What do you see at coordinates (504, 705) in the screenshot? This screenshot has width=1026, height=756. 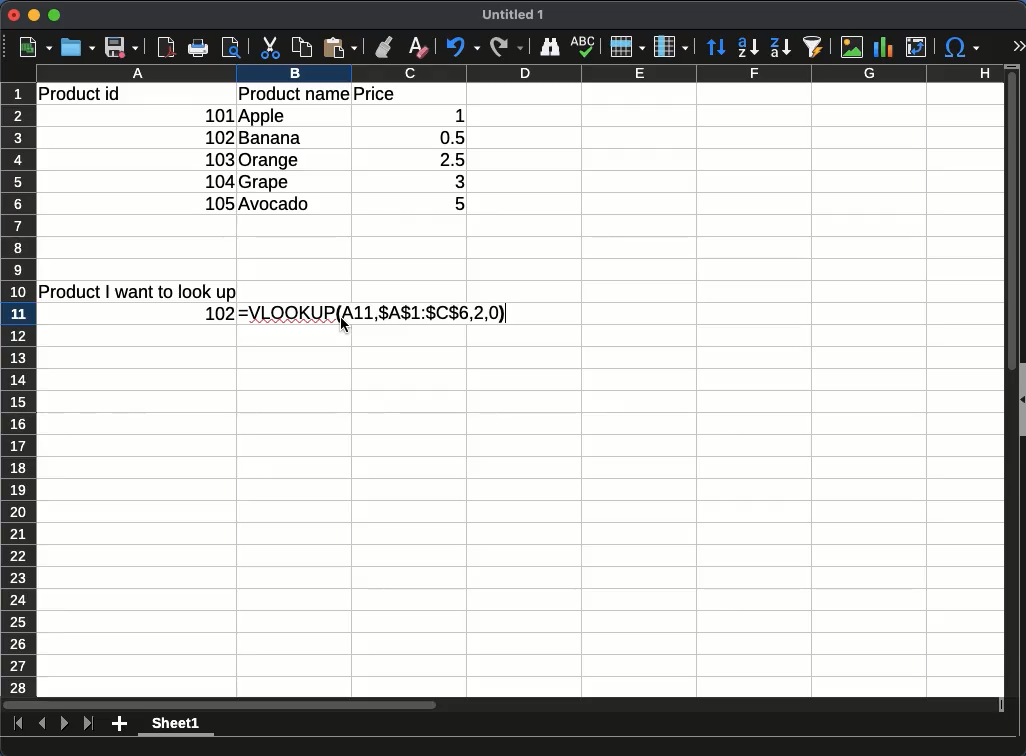 I see `Horizontal scroll` at bounding box center [504, 705].